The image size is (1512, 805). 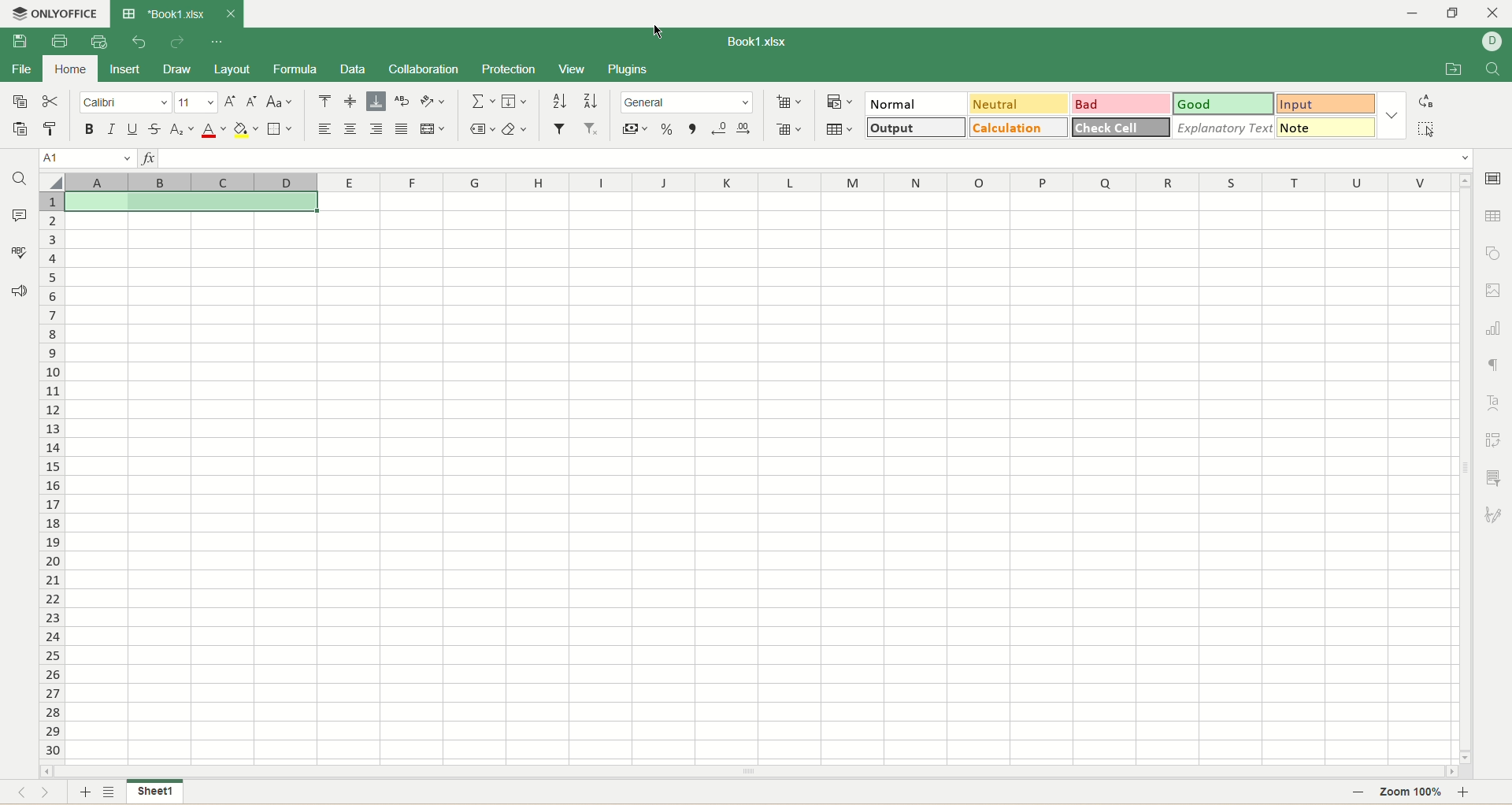 What do you see at coordinates (113, 128) in the screenshot?
I see `italic` at bounding box center [113, 128].